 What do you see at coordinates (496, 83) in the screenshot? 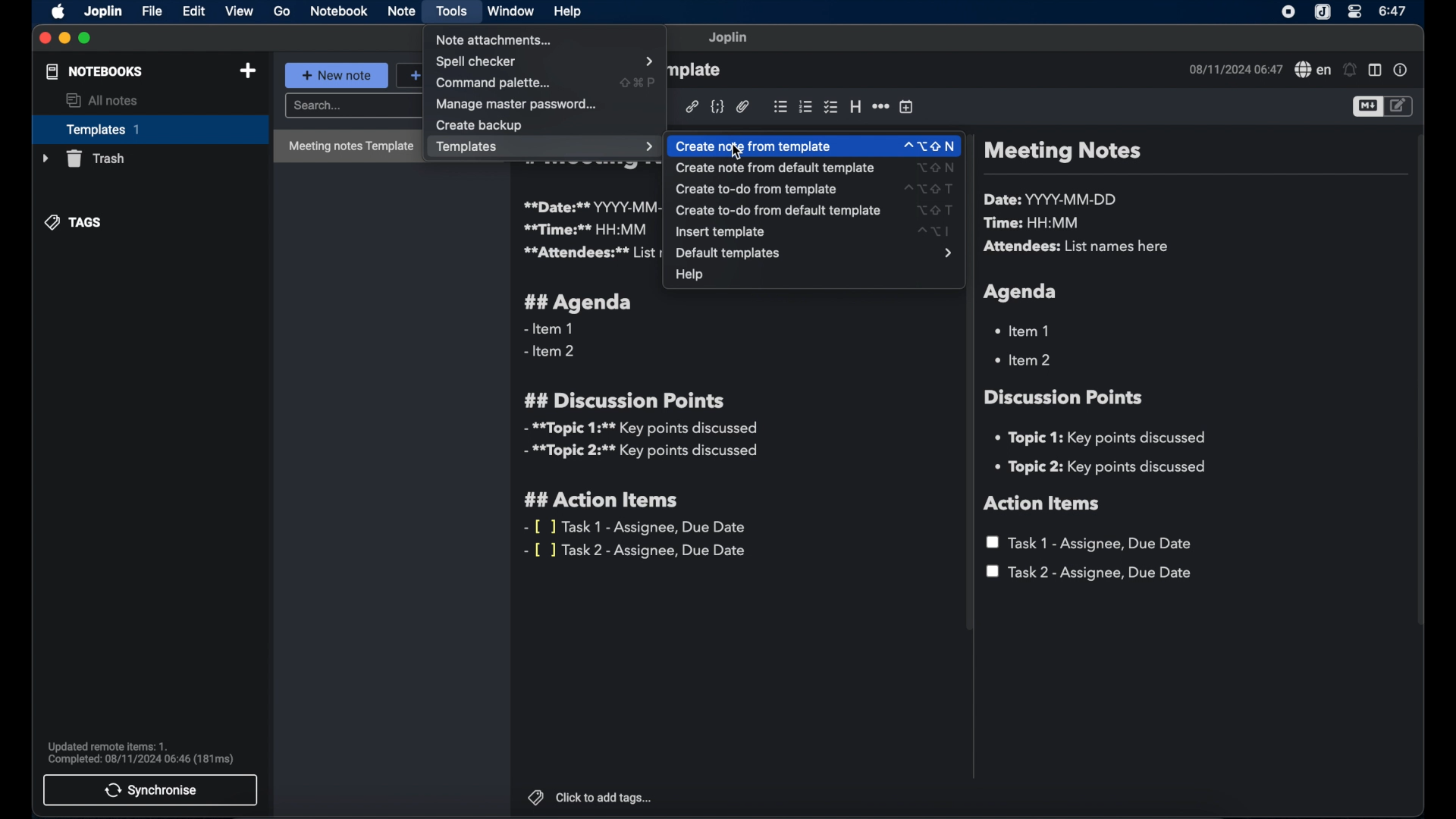
I see `command palette` at bounding box center [496, 83].